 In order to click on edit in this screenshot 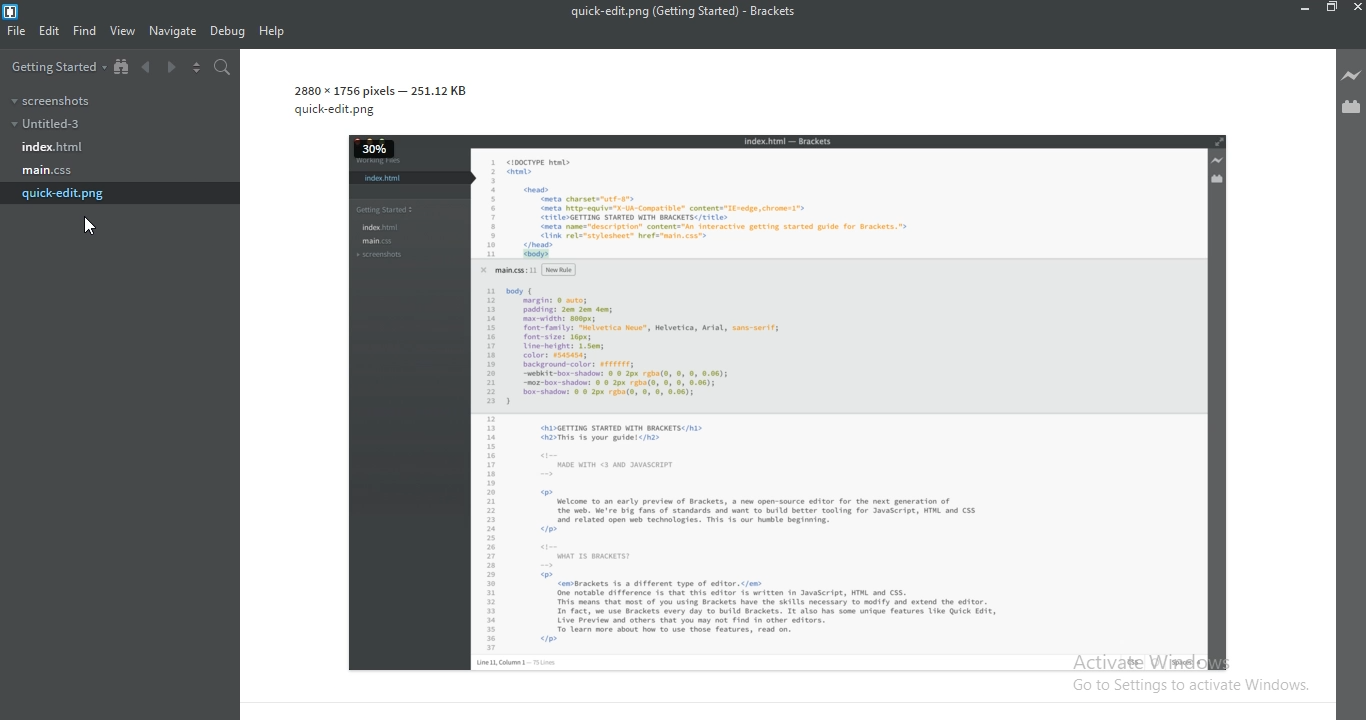, I will do `click(50, 31)`.